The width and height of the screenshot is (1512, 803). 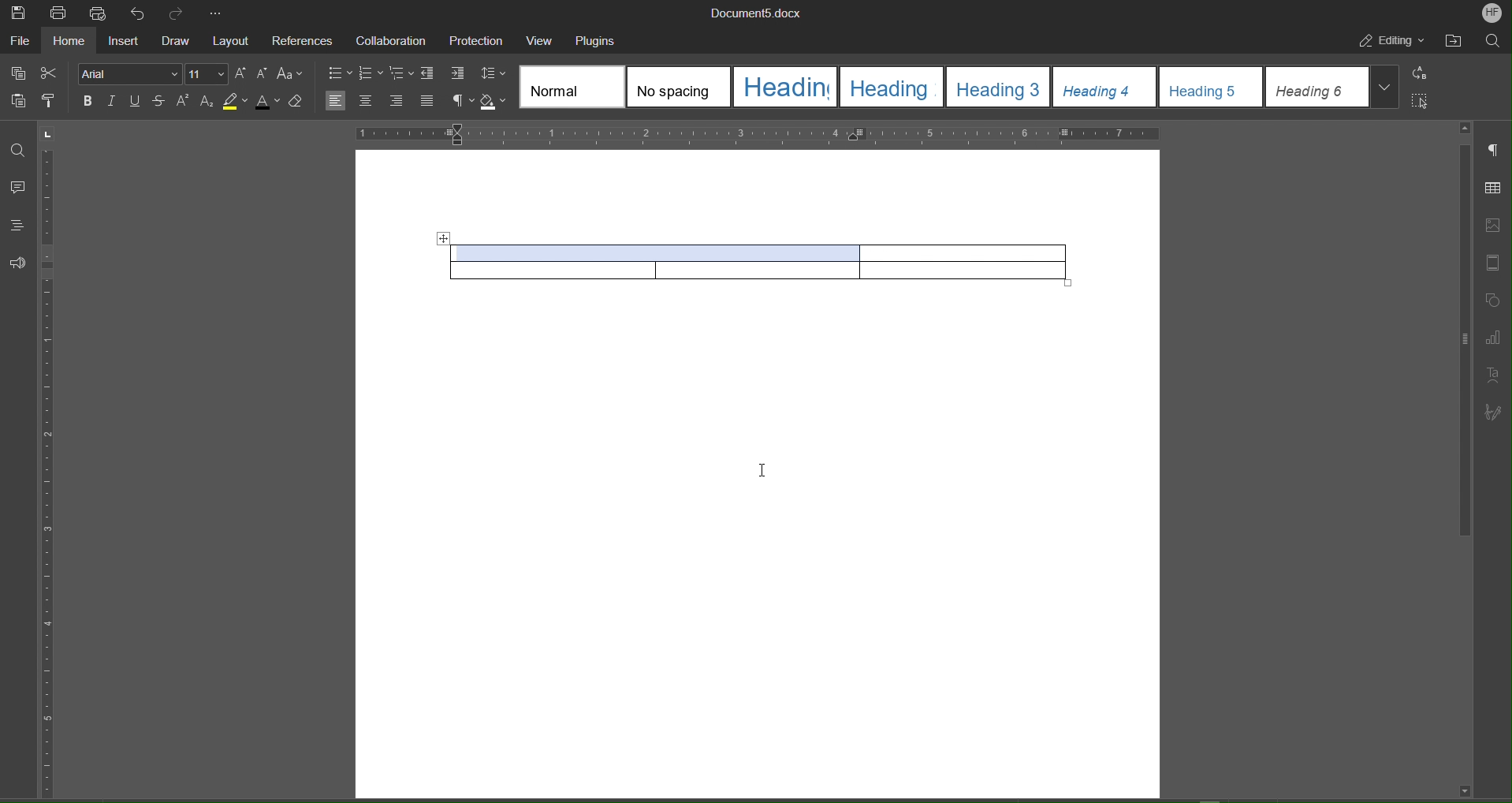 What do you see at coordinates (218, 14) in the screenshot?
I see `More` at bounding box center [218, 14].